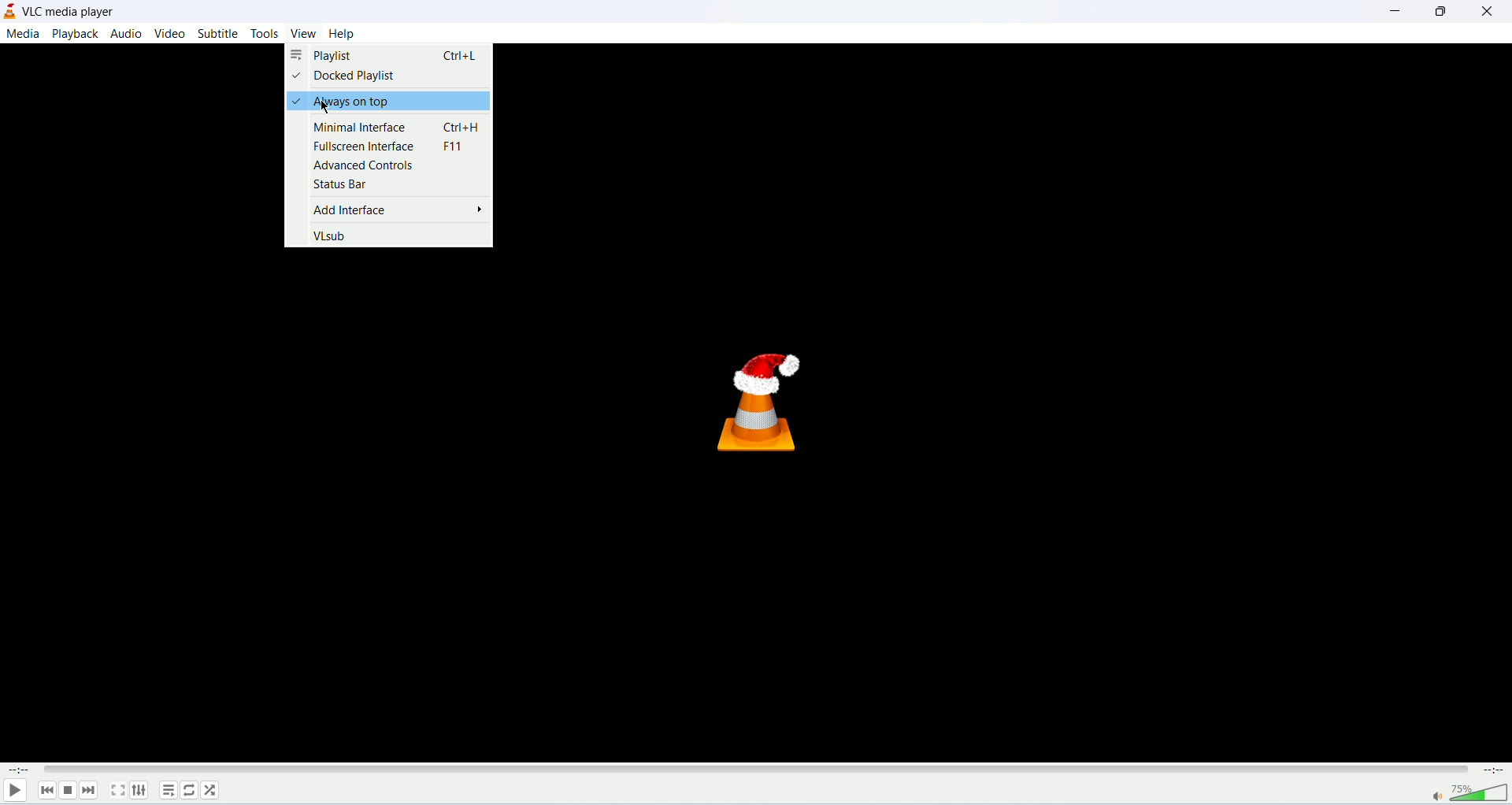  Describe the element at coordinates (118, 790) in the screenshot. I see `fullscreen` at that location.